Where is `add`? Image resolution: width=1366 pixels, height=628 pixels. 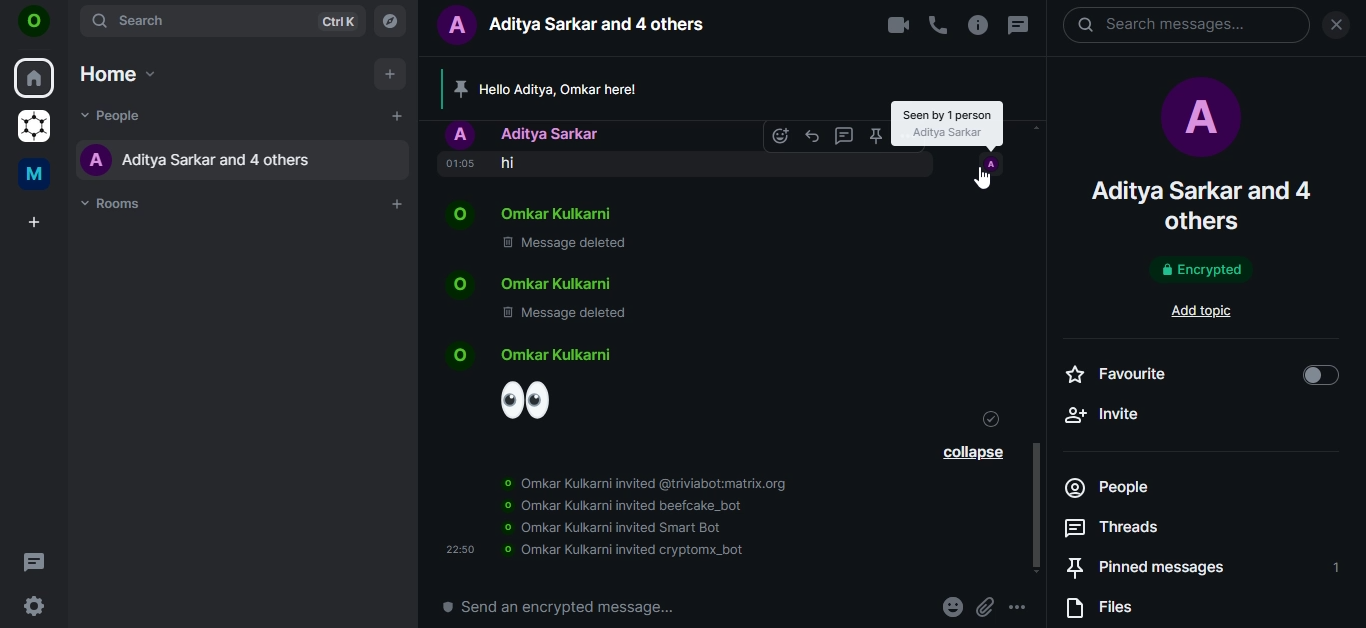 add is located at coordinates (397, 118).